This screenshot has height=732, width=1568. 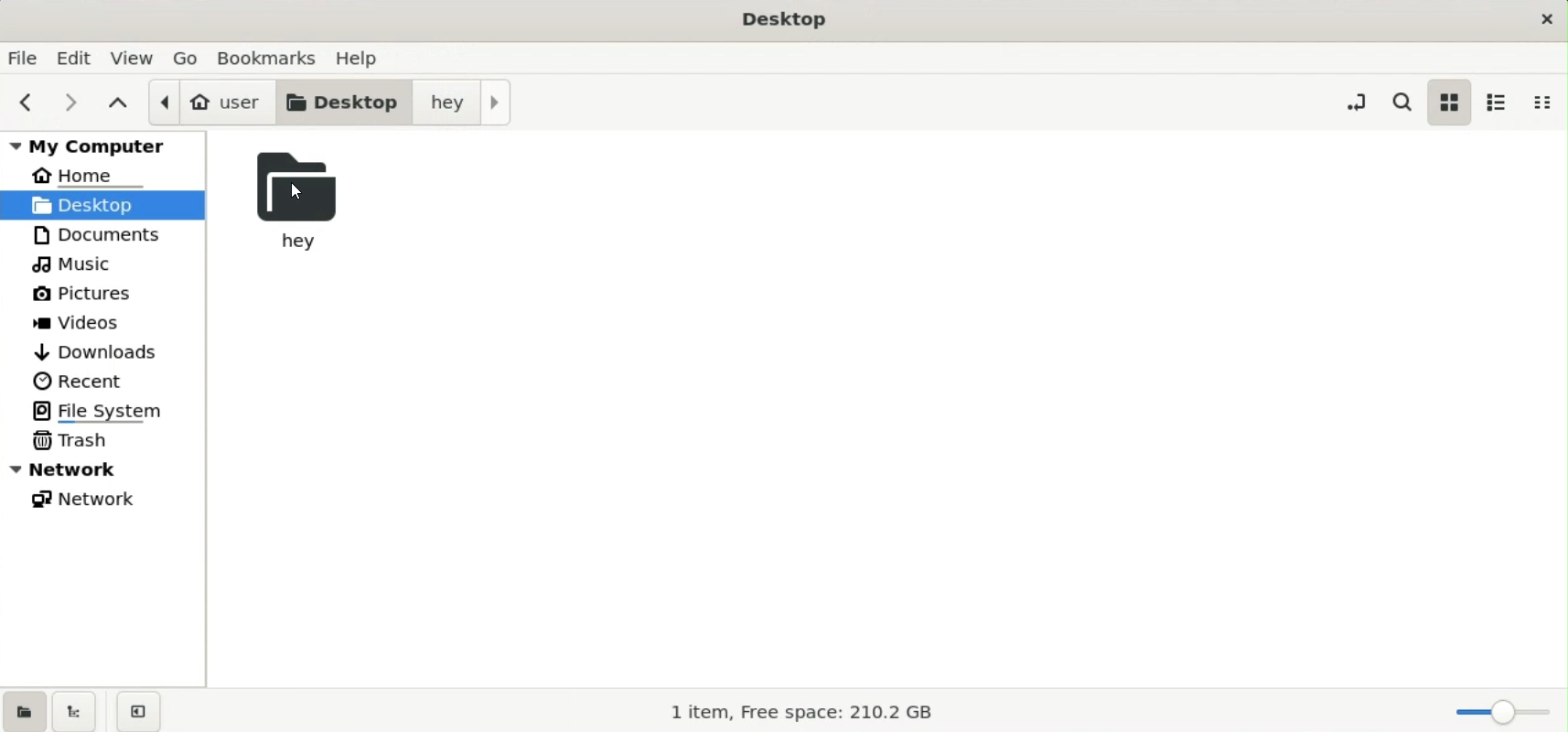 I want to click on help, so click(x=362, y=54).